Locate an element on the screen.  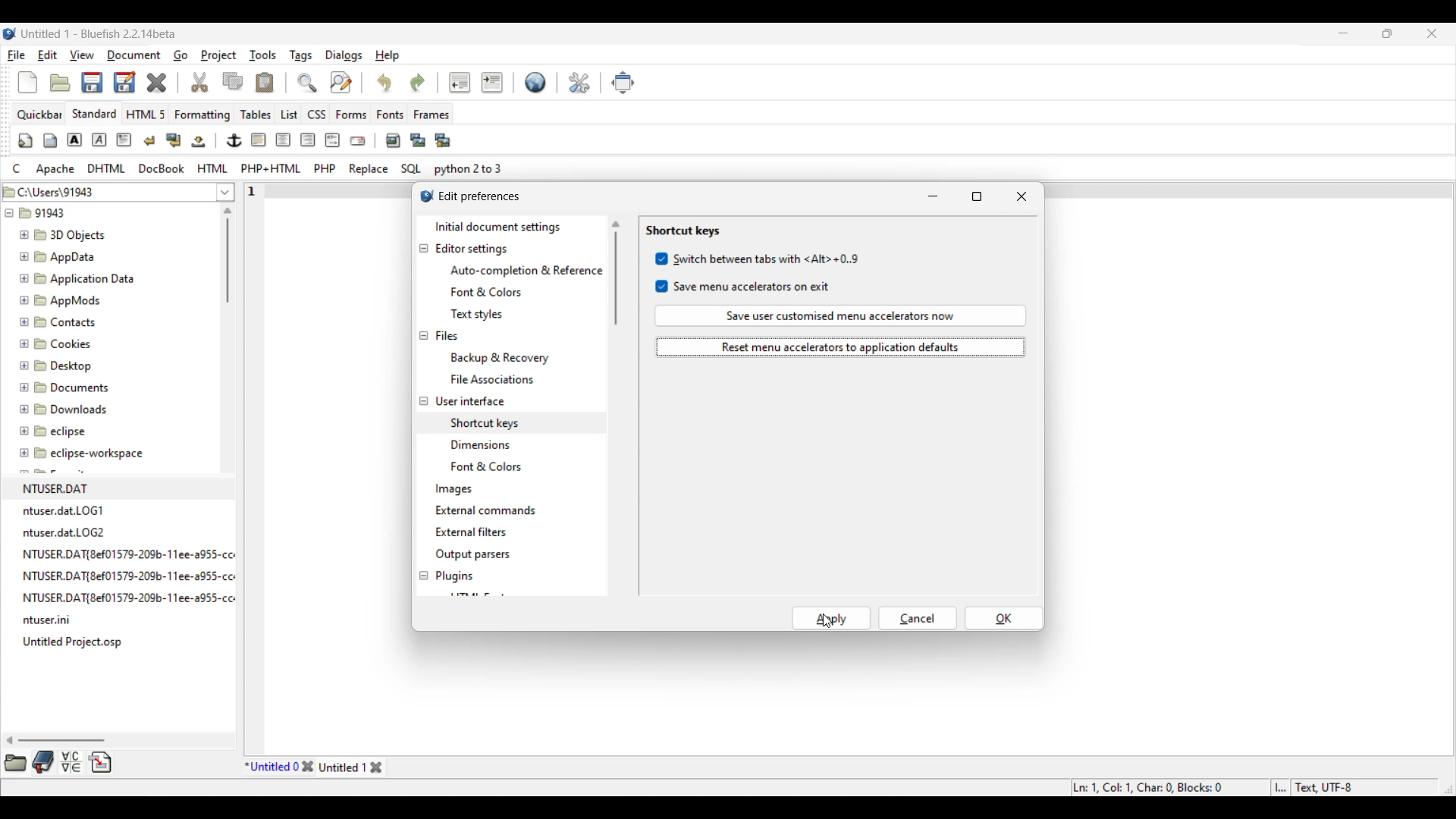
Images is located at coordinates (455, 490).